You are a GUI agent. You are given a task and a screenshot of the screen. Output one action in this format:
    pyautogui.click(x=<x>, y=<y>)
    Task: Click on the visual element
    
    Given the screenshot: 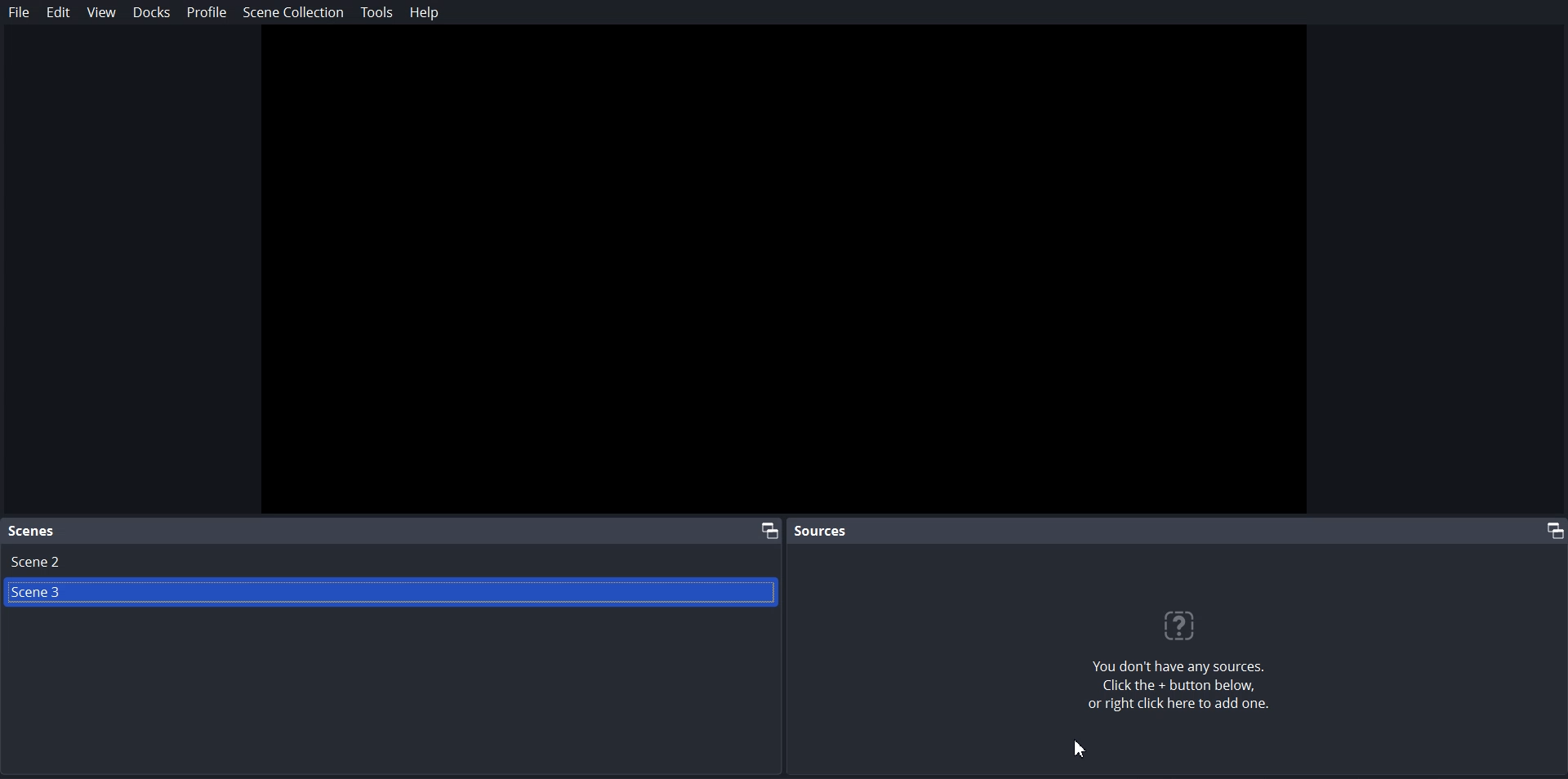 What is the action you would take?
    pyautogui.click(x=1187, y=625)
    